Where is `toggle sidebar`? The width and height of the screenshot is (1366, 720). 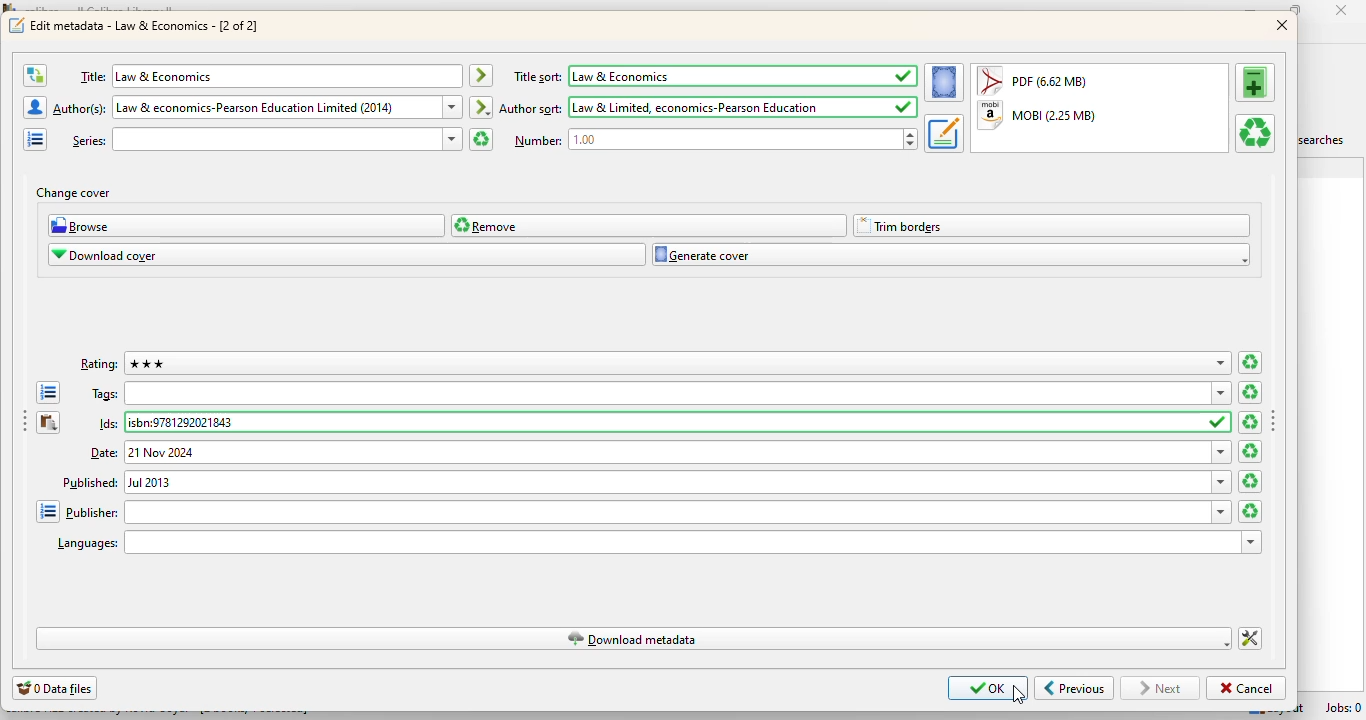
toggle sidebar is located at coordinates (24, 423).